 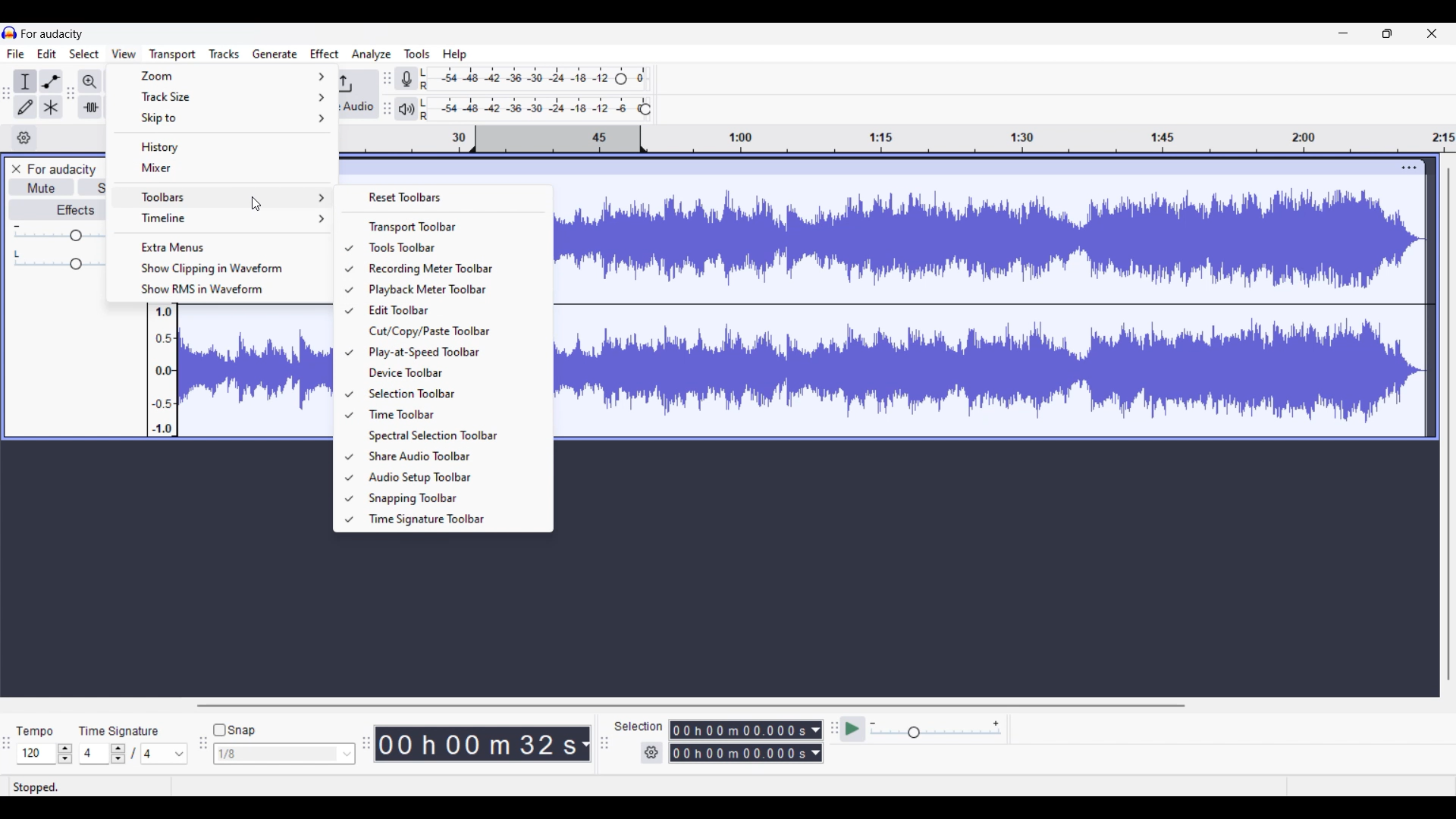 What do you see at coordinates (450, 268) in the screenshot?
I see `Recording meter toolbar` at bounding box center [450, 268].